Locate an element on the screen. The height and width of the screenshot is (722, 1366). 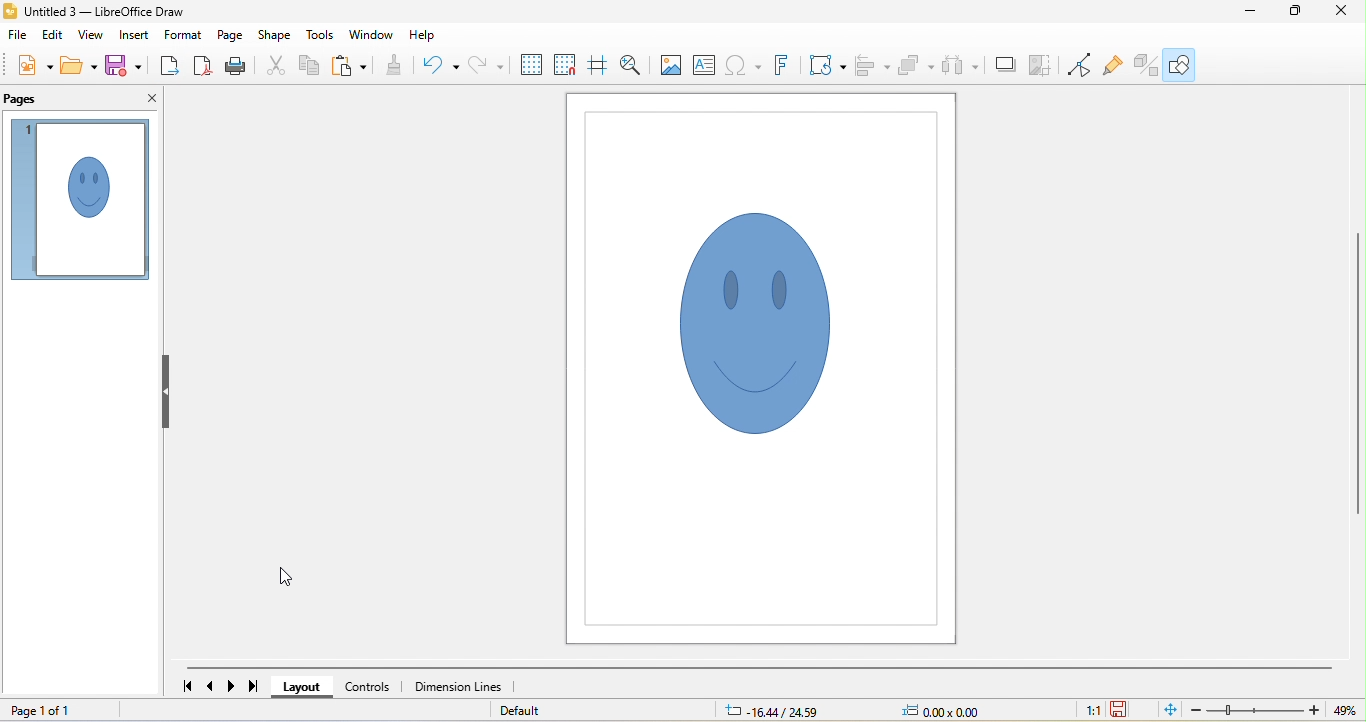
show gluepoint functions is located at coordinates (1112, 69).